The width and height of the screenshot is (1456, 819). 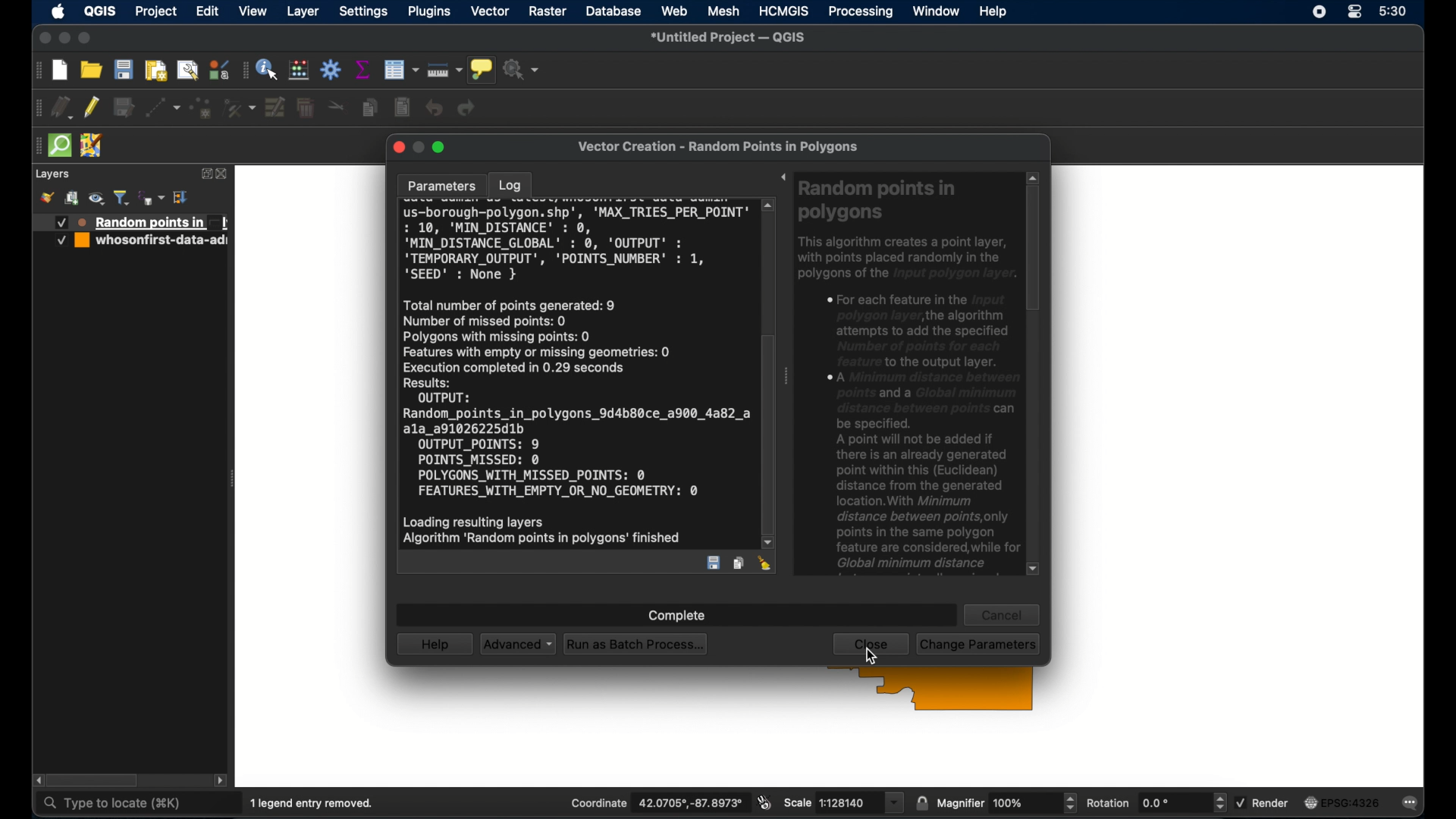 What do you see at coordinates (419, 146) in the screenshot?
I see `inactive minimize button` at bounding box center [419, 146].